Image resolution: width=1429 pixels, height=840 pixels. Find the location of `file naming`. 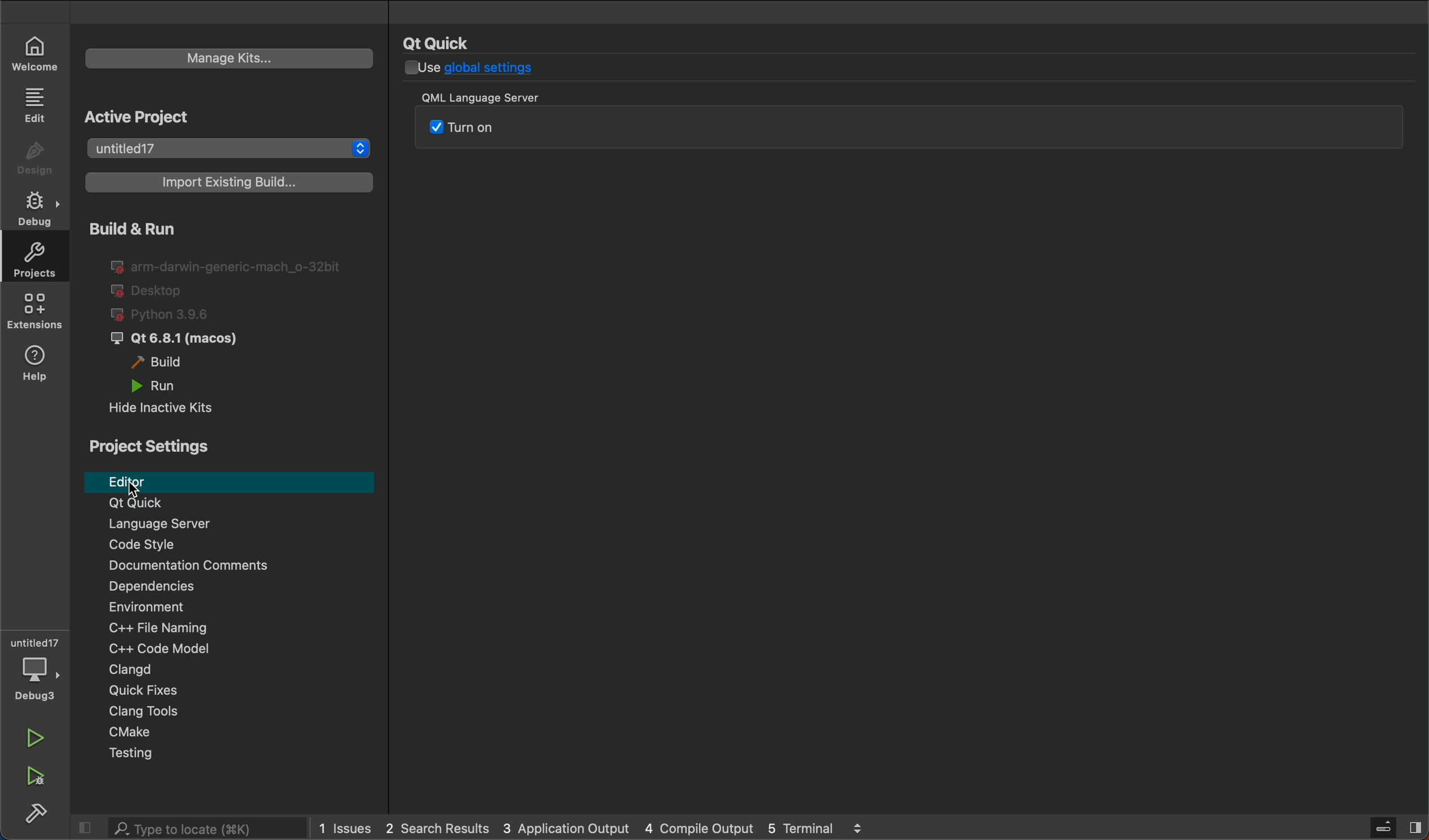

file naming is located at coordinates (244, 629).